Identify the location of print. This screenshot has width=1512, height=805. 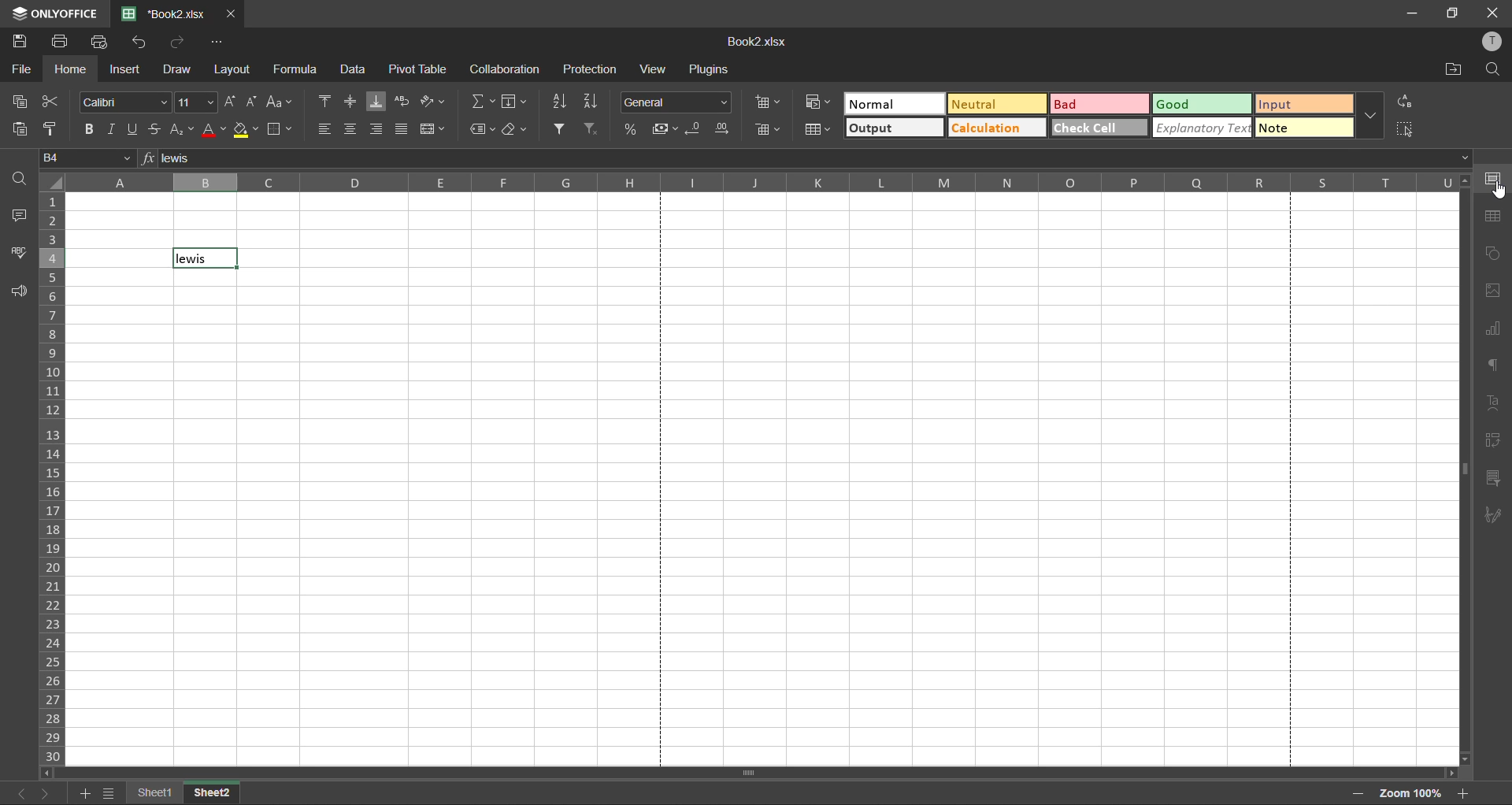
(59, 41).